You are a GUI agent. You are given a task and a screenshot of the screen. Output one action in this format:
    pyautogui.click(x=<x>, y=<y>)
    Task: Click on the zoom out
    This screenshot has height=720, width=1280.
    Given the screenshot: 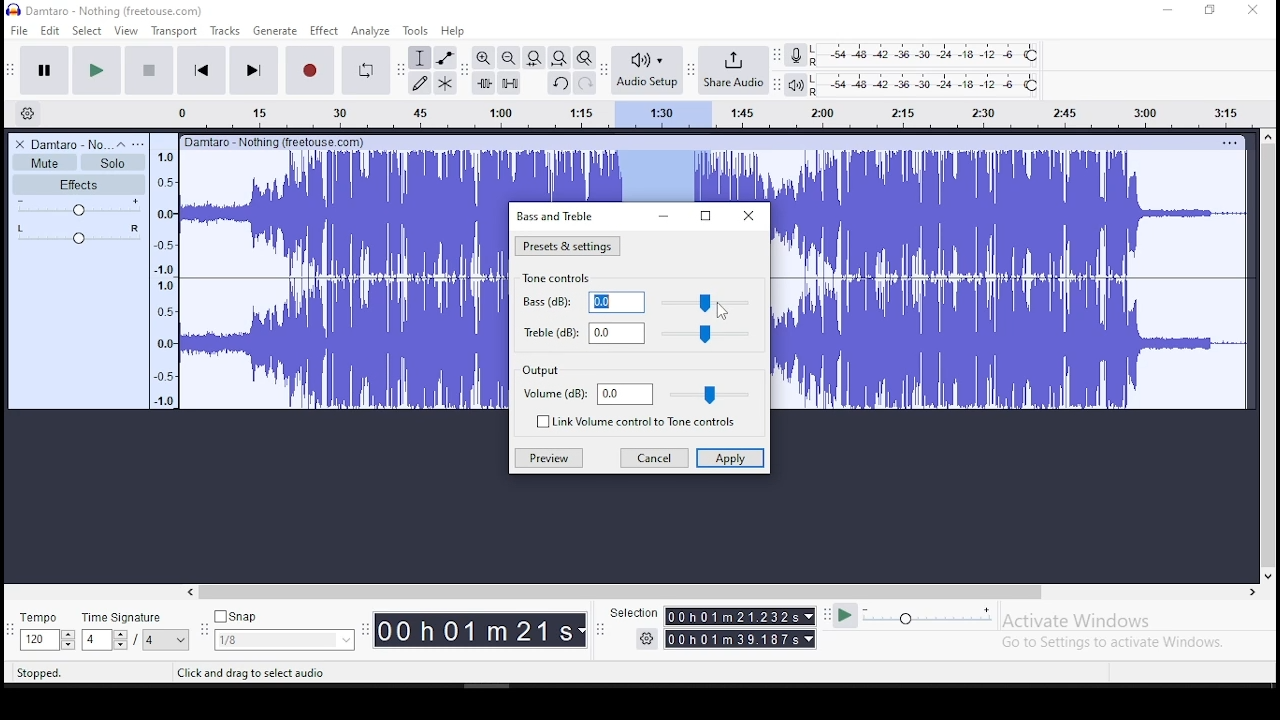 What is the action you would take?
    pyautogui.click(x=508, y=57)
    